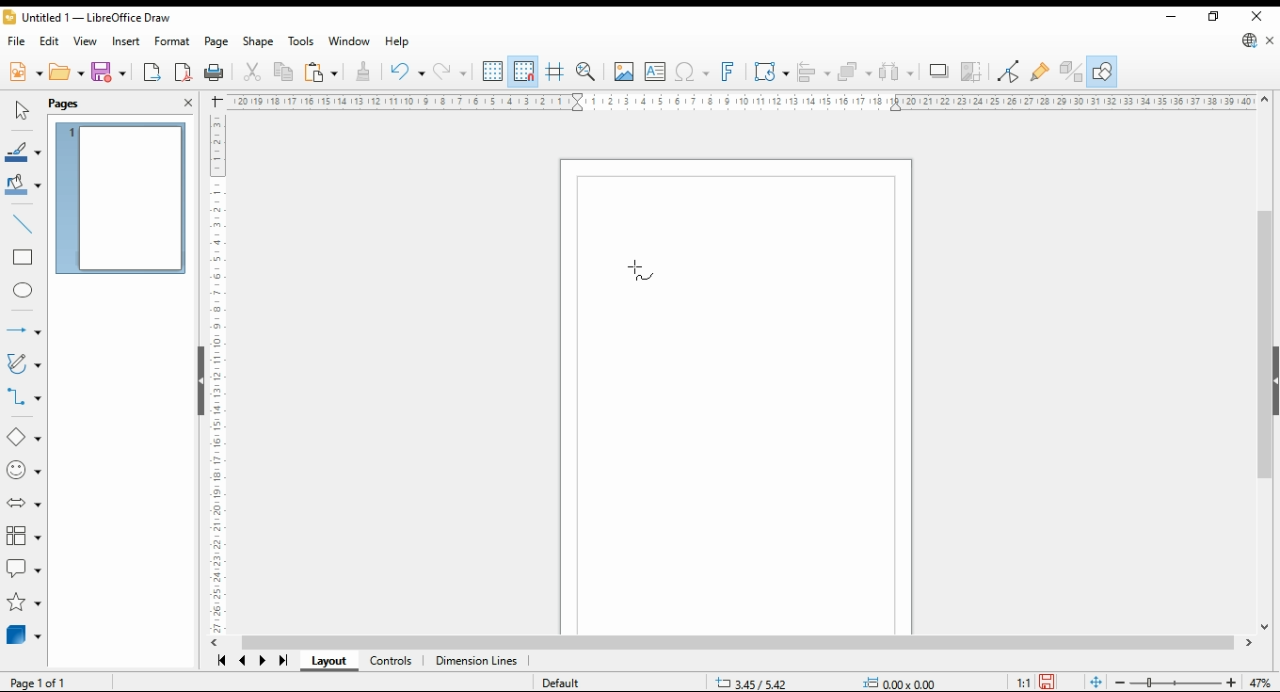 The width and height of the screenshot is (1280, 692). Describe the element at coordinates (1265, 361) in the screenshot. I see `scroll bar` at that location.